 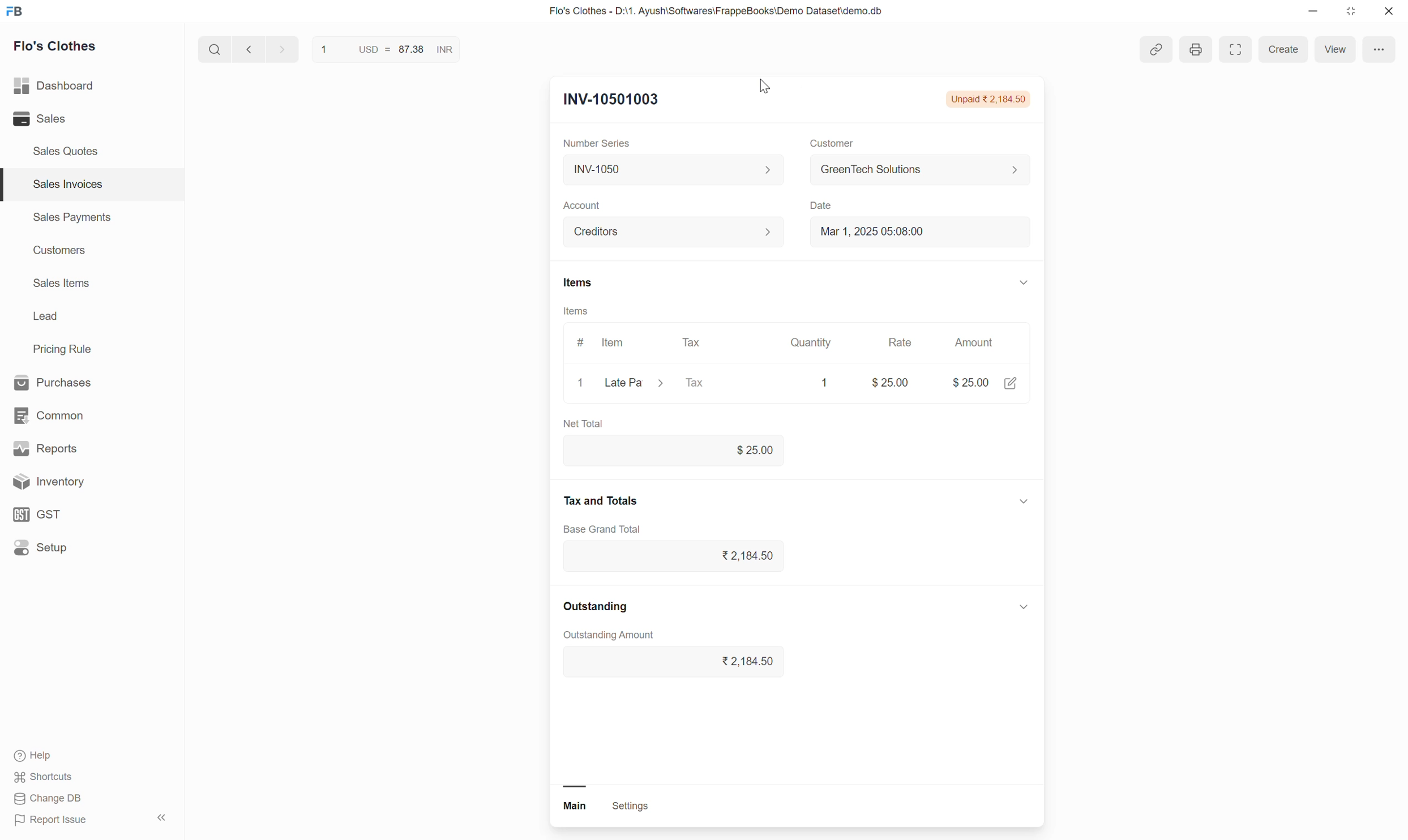 I want to click on close , so click(x=1390, y=12).